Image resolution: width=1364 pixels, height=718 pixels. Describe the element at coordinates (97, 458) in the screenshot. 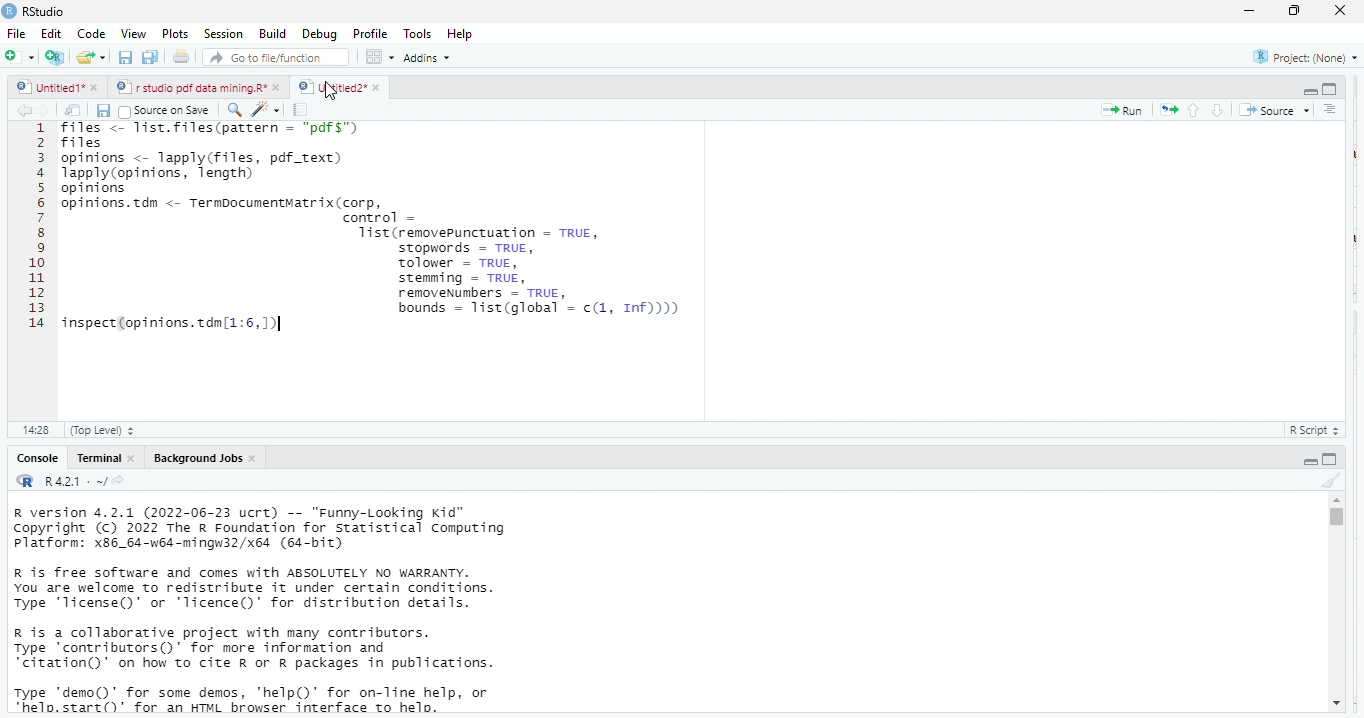

I see `terminal` at that location.